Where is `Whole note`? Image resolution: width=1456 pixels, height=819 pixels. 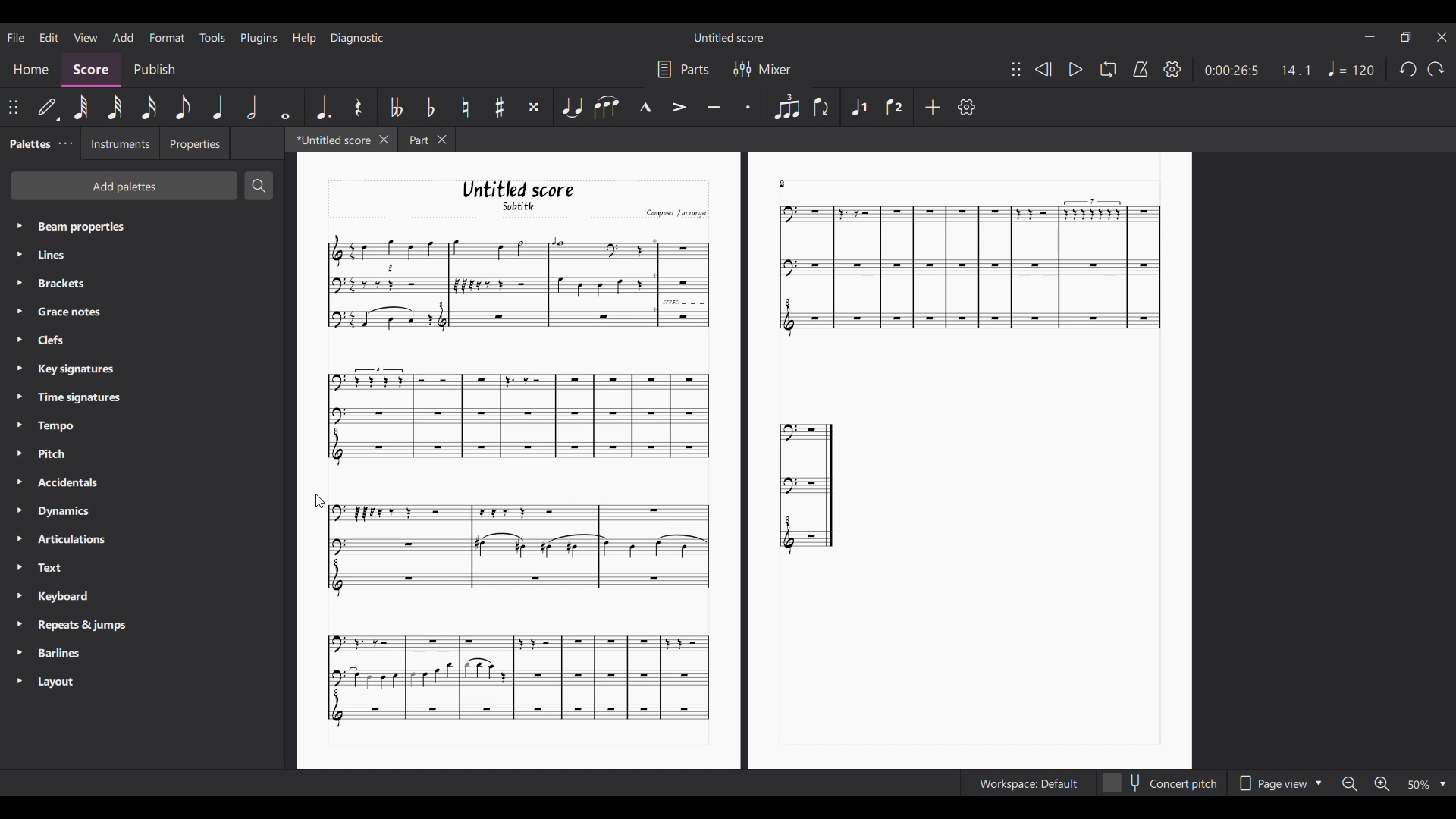 Whole note is located at coordinates (286, 108).